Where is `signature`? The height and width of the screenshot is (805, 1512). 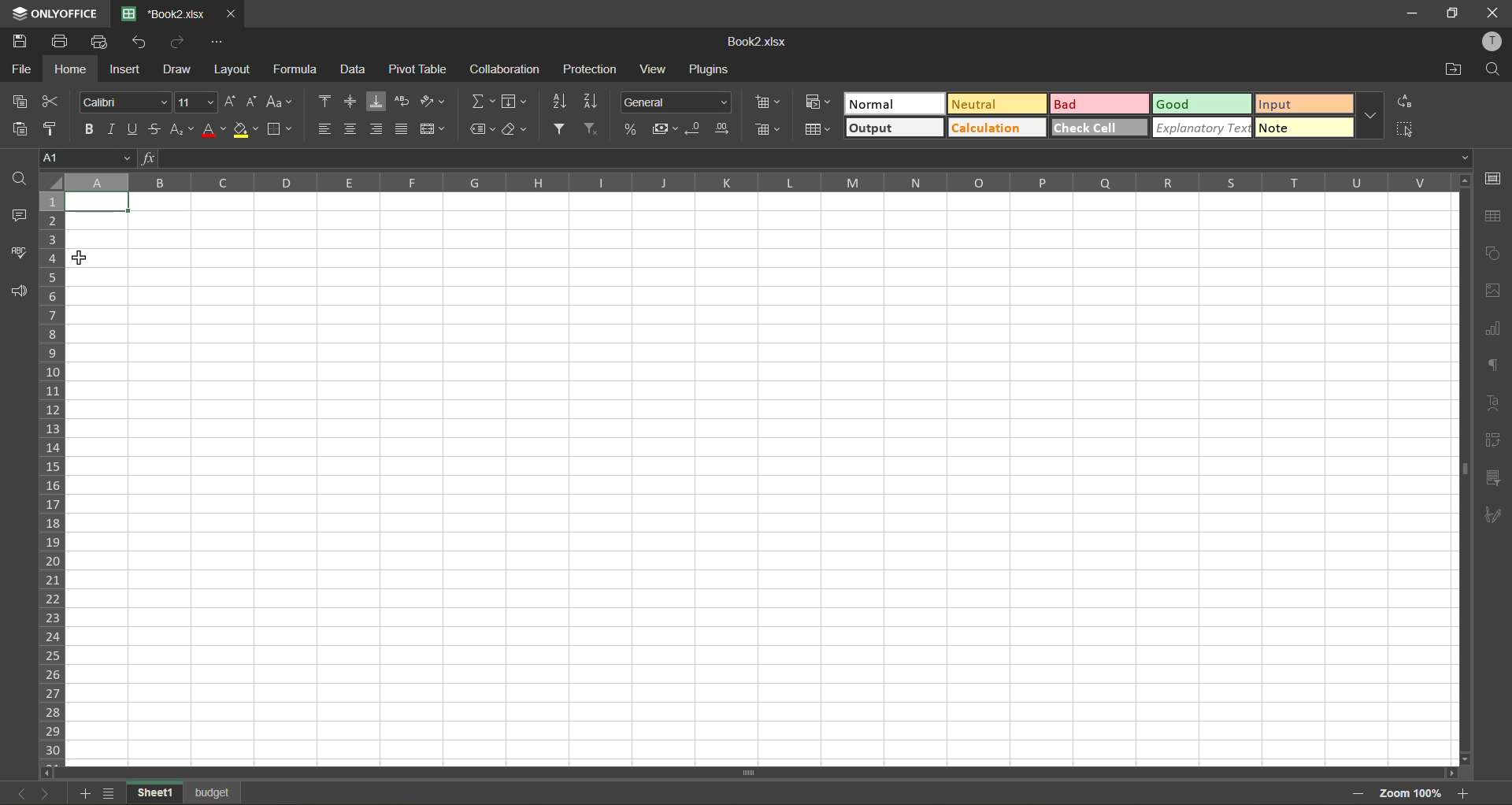 signature is located at coordinates (1497, 517).